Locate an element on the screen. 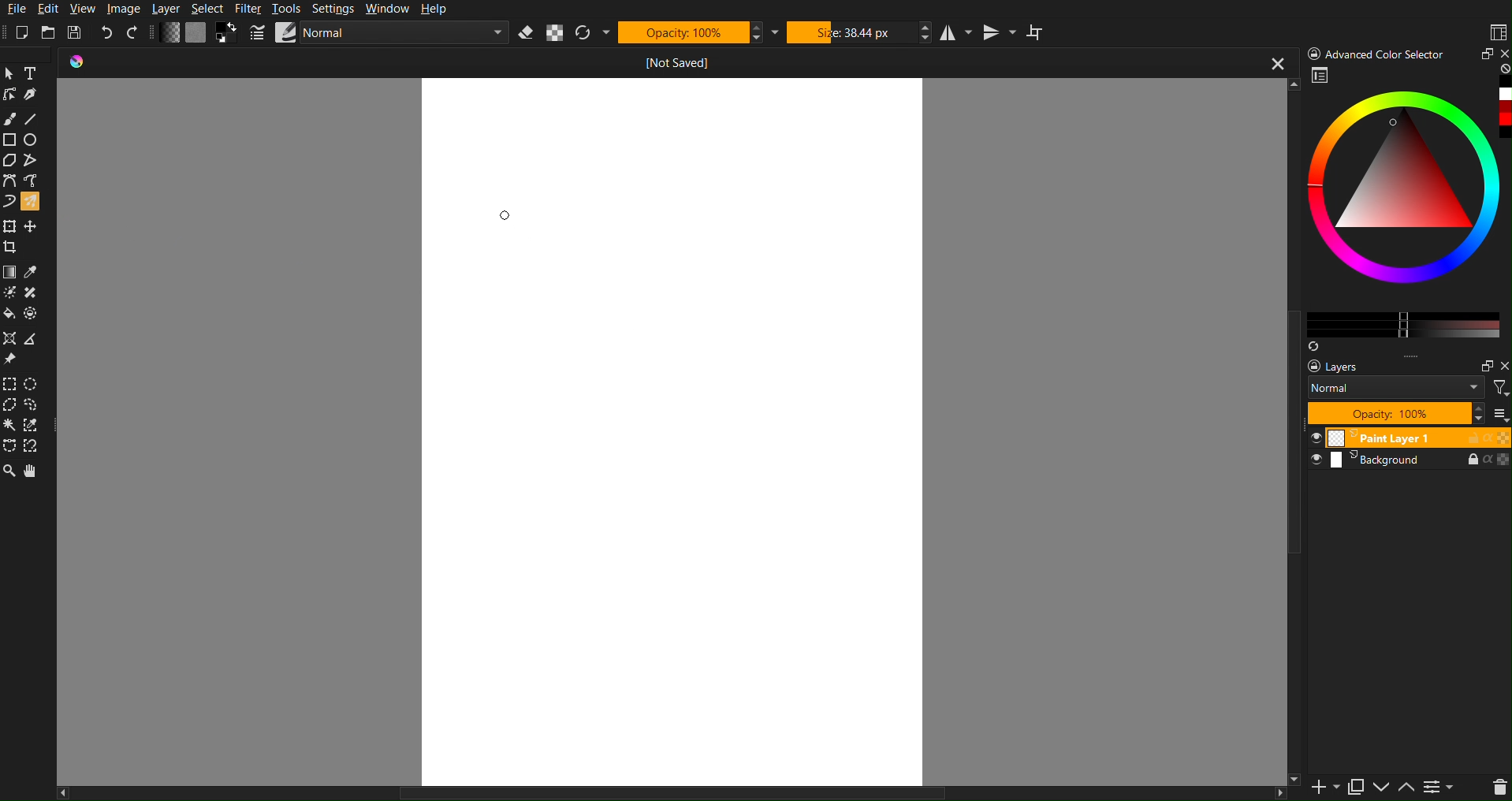  Free shape selection tool is located at coordinates (37, 404).